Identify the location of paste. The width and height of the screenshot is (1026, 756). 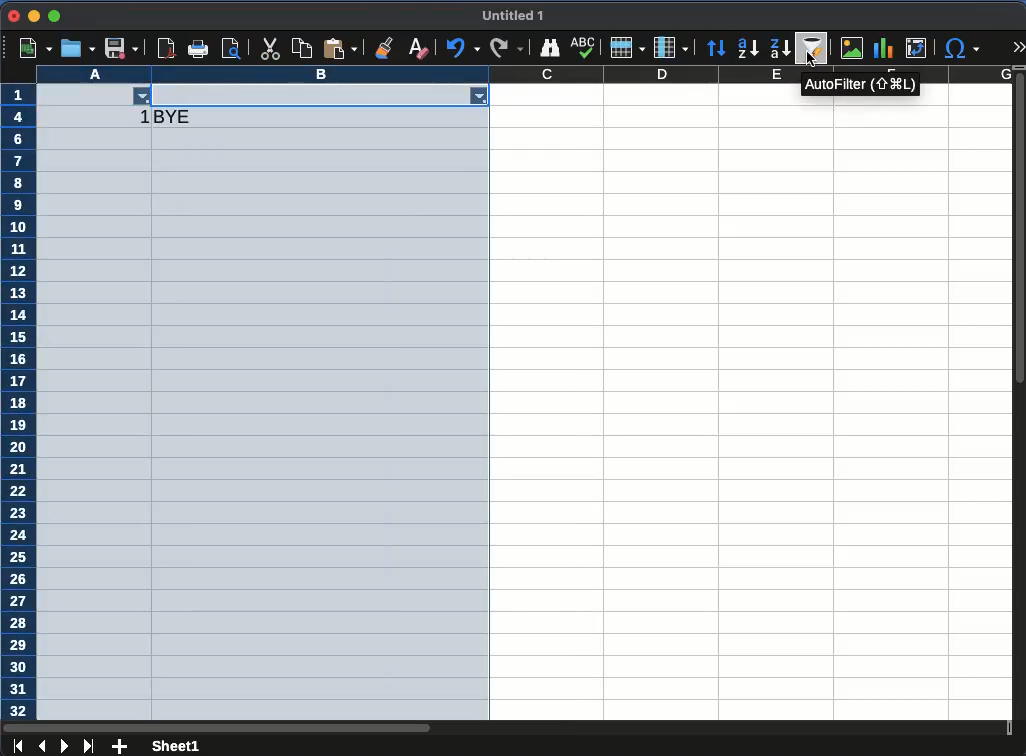
(303, 48).